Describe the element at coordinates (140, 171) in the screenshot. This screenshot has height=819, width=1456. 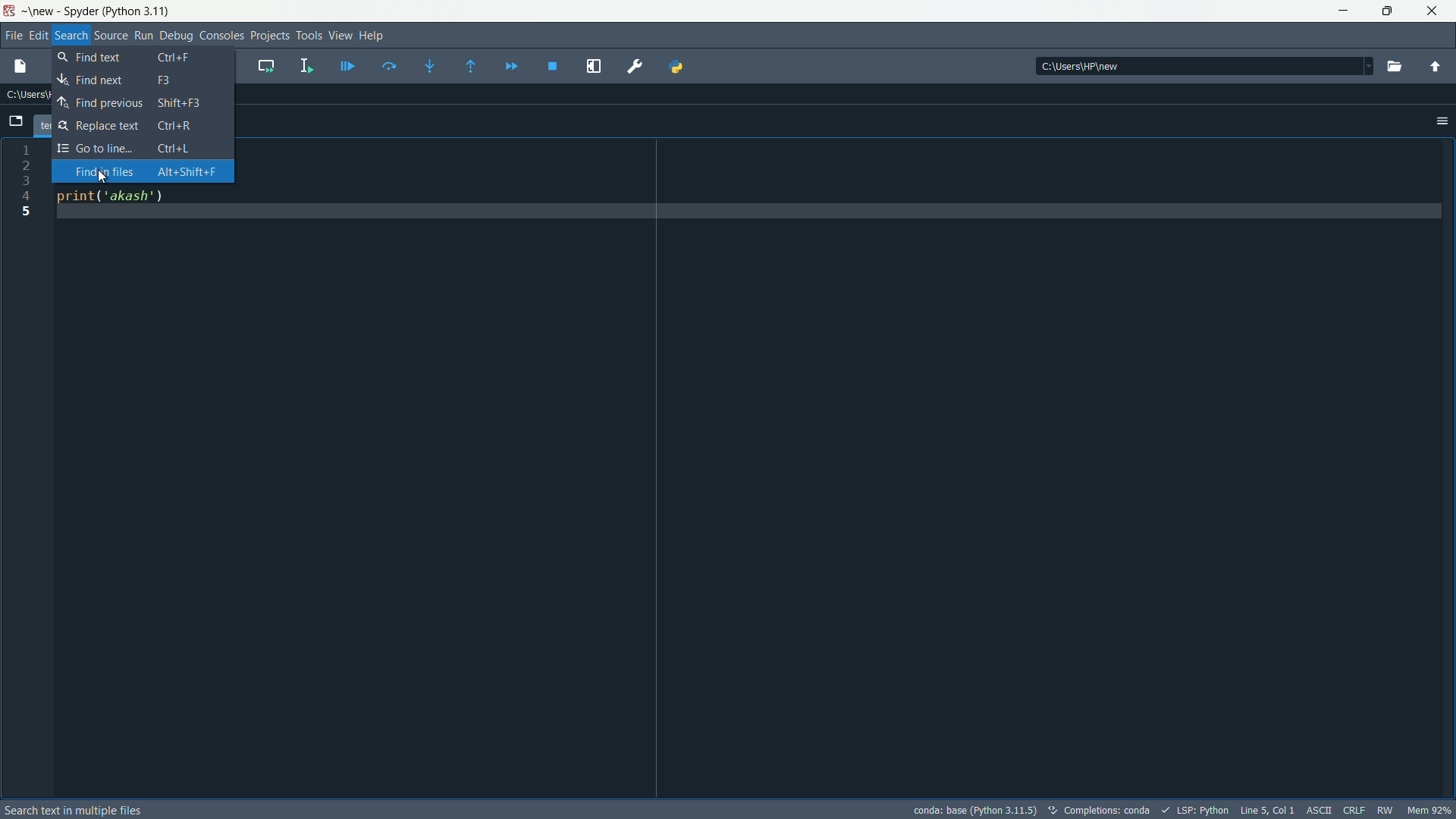
I see `find in file` at that location.